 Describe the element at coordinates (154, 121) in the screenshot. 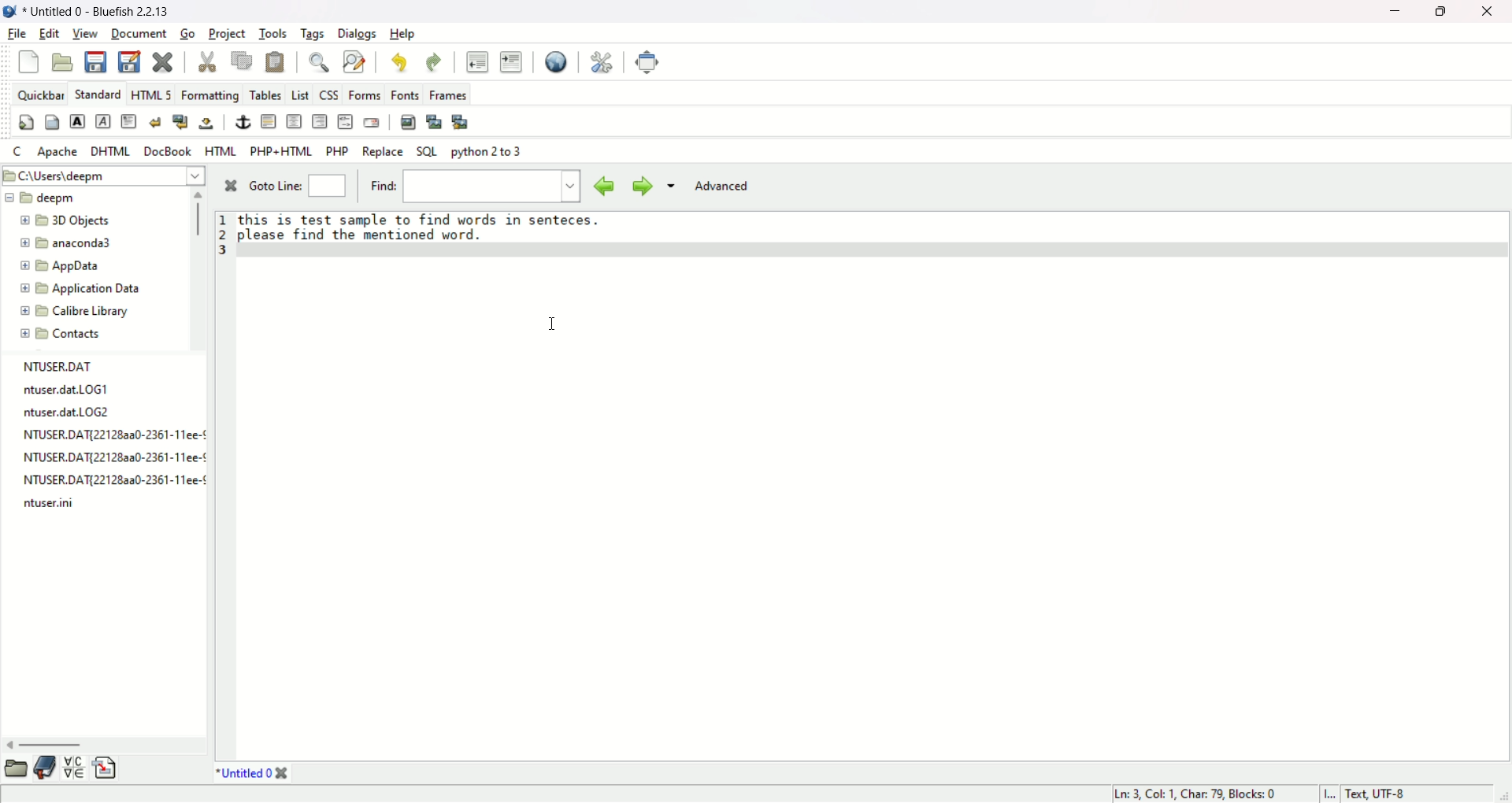

I see `break` at that location.